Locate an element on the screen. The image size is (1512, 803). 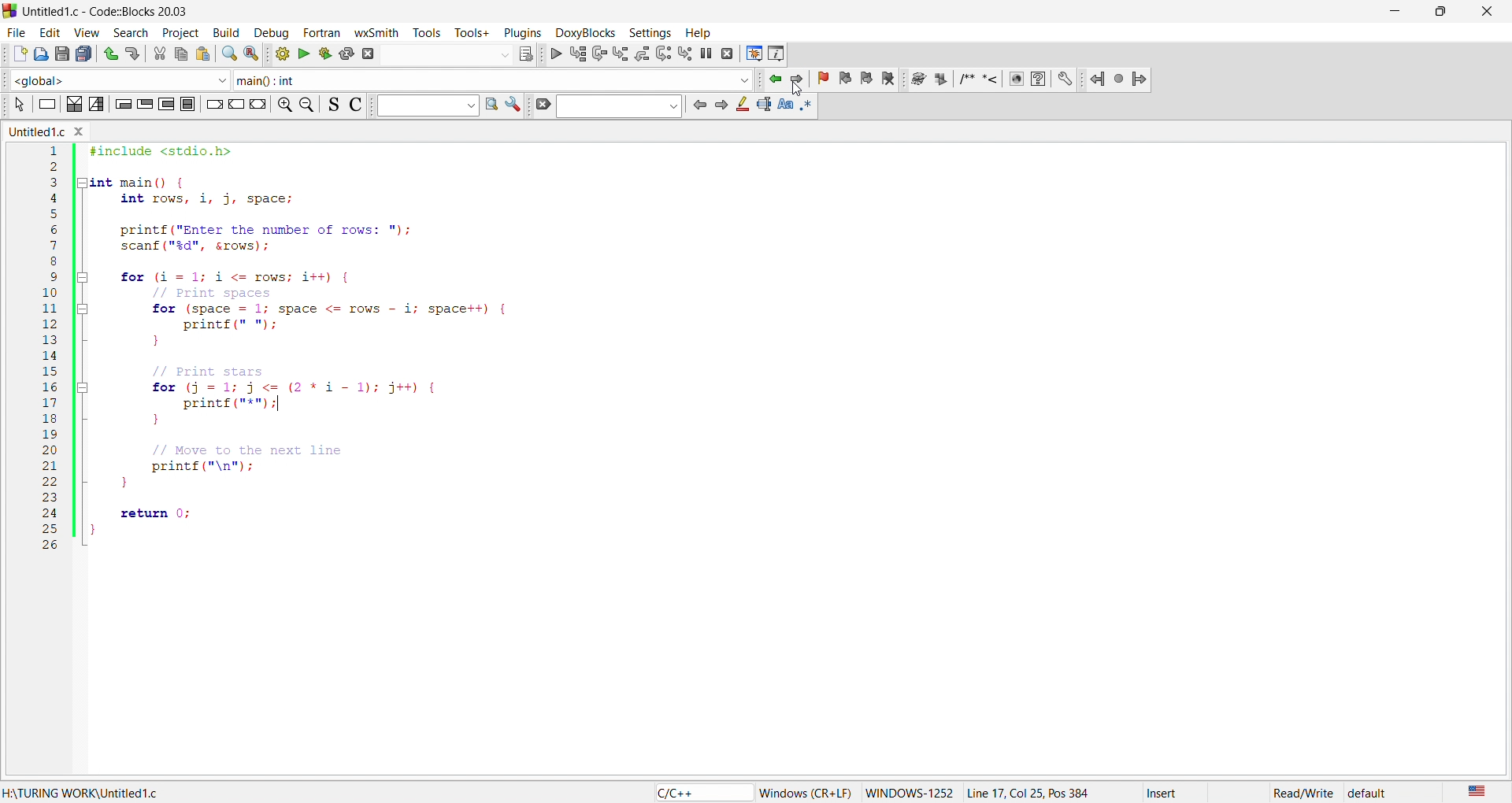
zoom in  is located at coordinates (283, 105).